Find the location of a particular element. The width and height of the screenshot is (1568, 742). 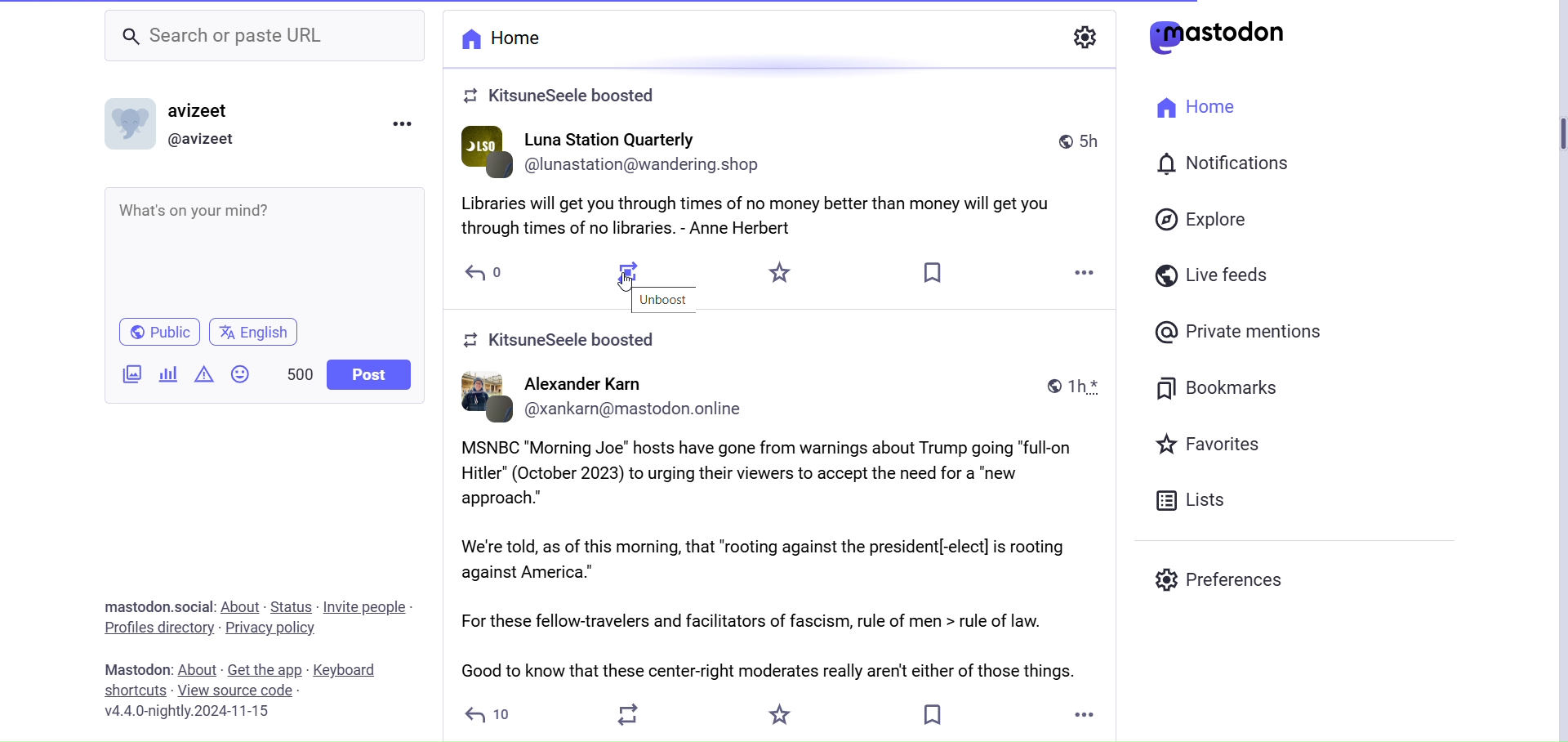

Live Feeds is located at coordinates (1216, 276).